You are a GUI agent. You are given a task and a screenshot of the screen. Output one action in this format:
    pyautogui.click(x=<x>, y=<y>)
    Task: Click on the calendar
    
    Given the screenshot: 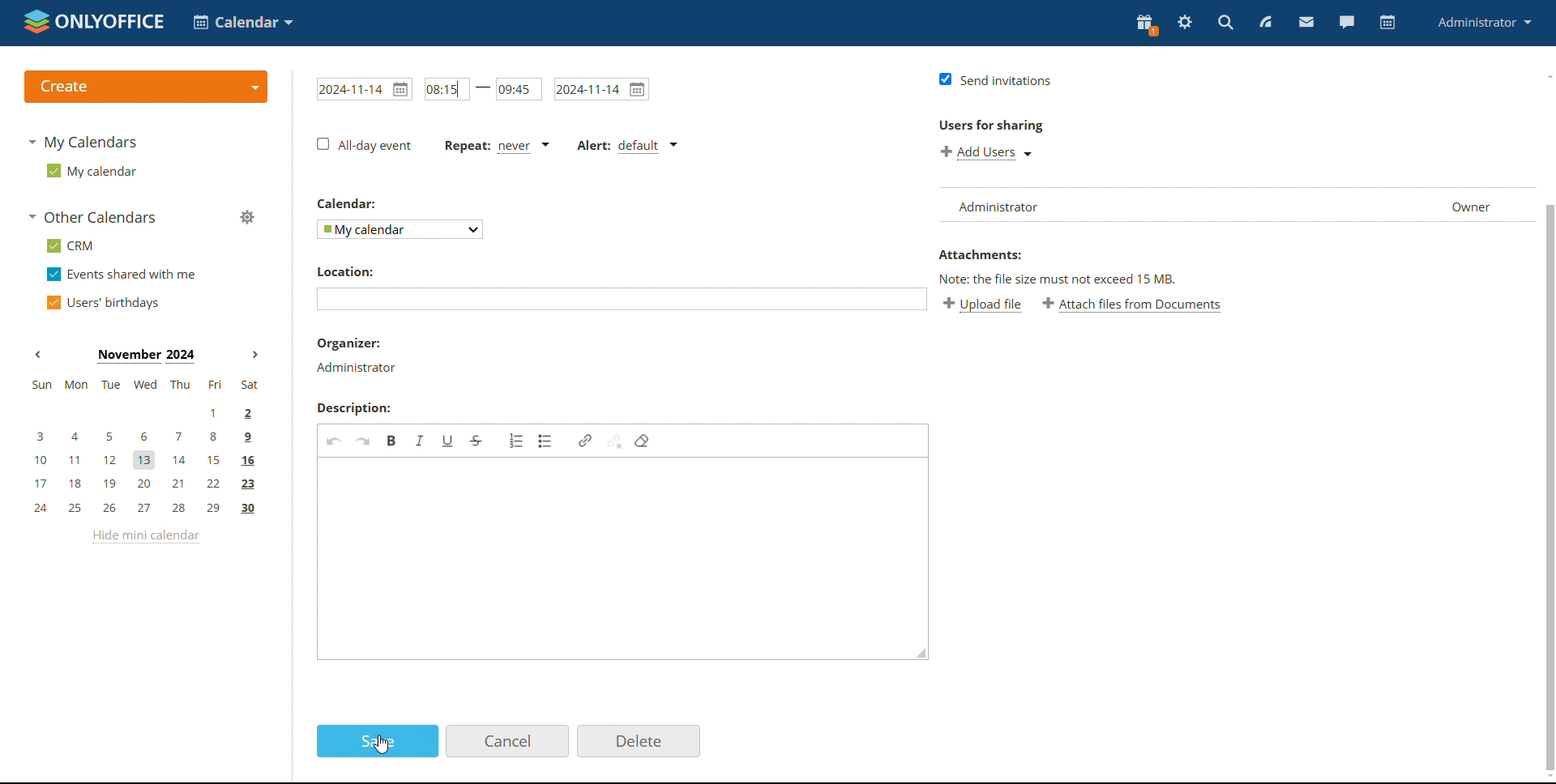 What is the action you would take?
    pyautogui.click(x=349, y=204)
    